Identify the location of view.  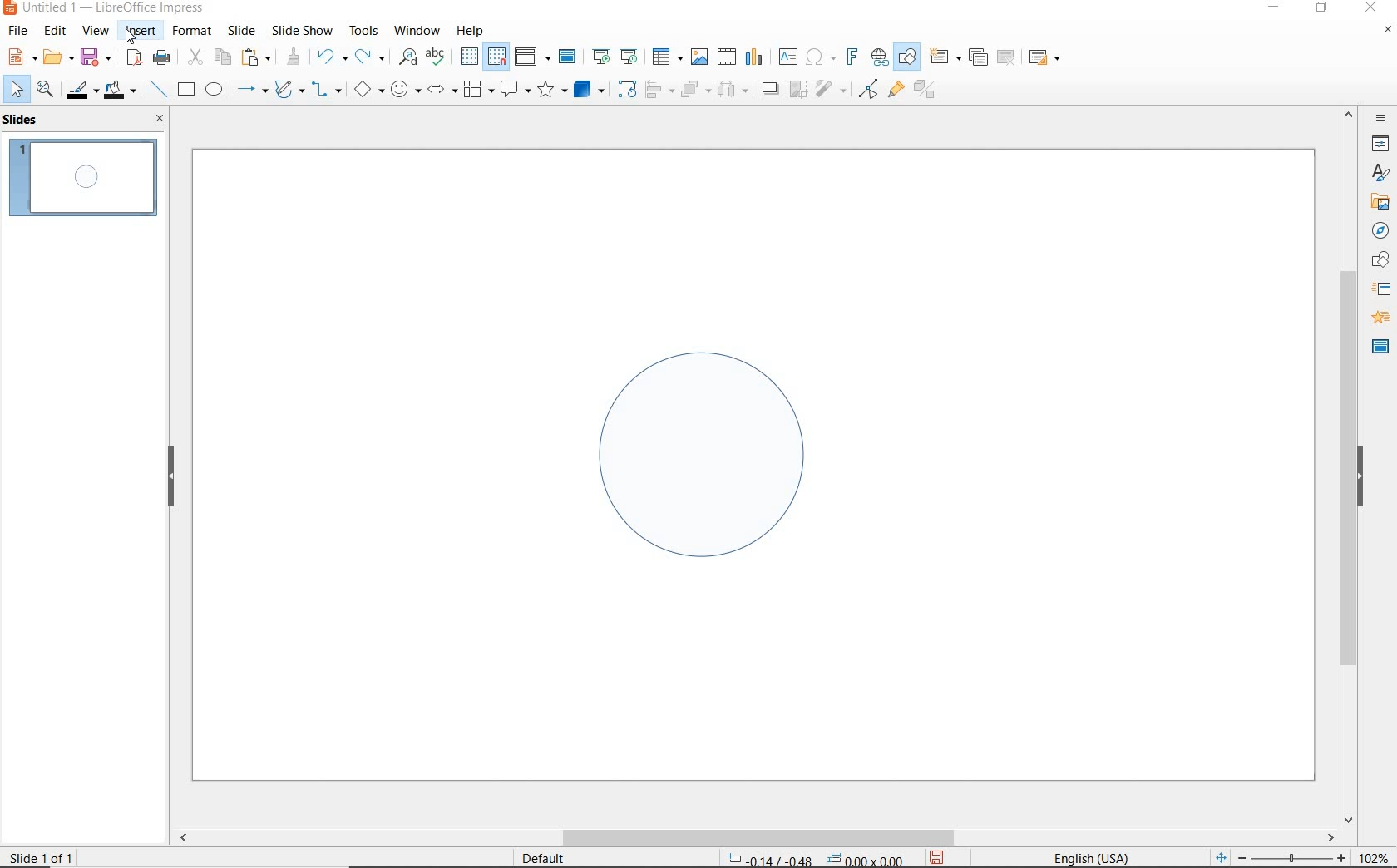
(96, 31).